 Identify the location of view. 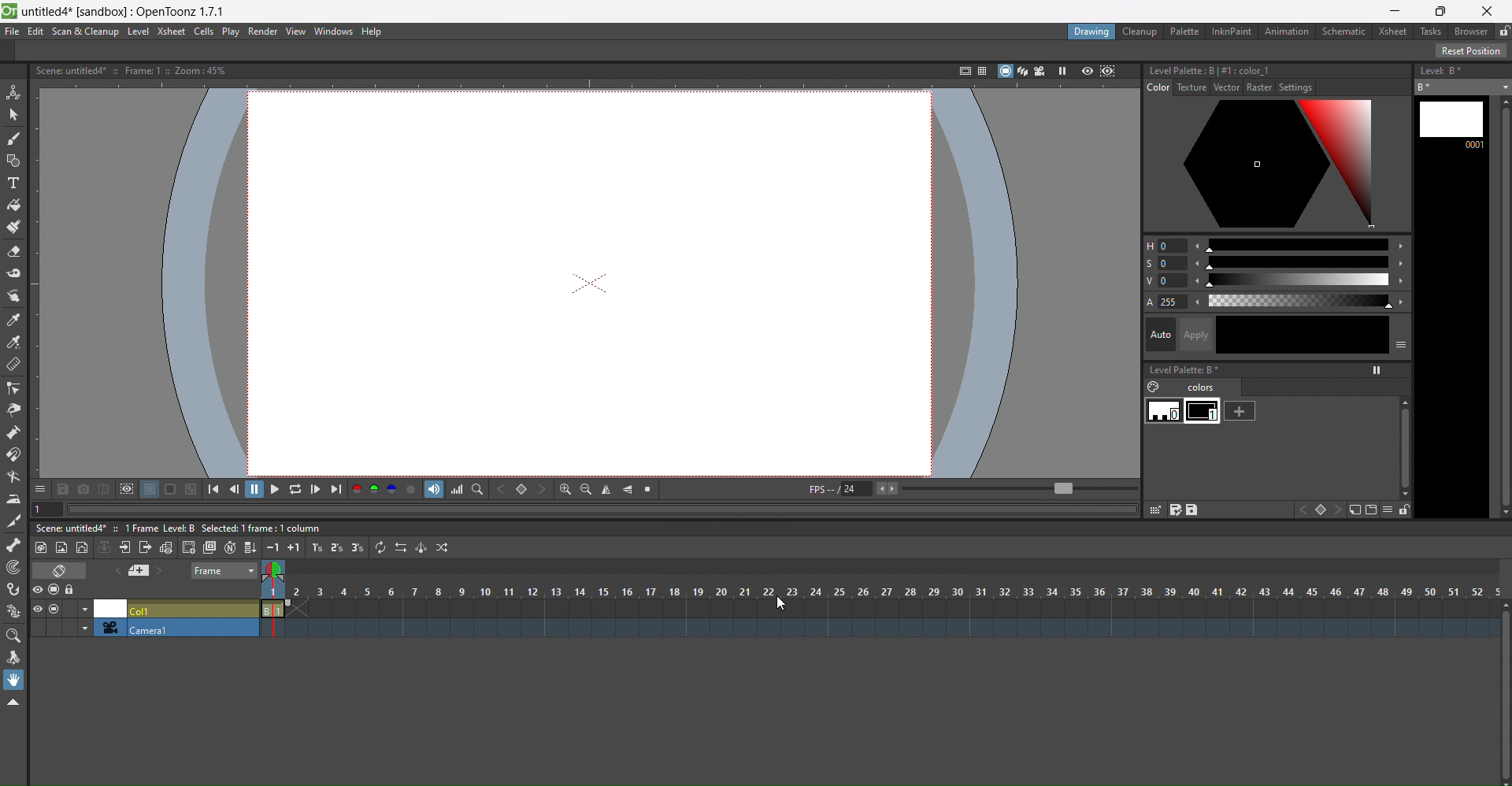
(277, 573).